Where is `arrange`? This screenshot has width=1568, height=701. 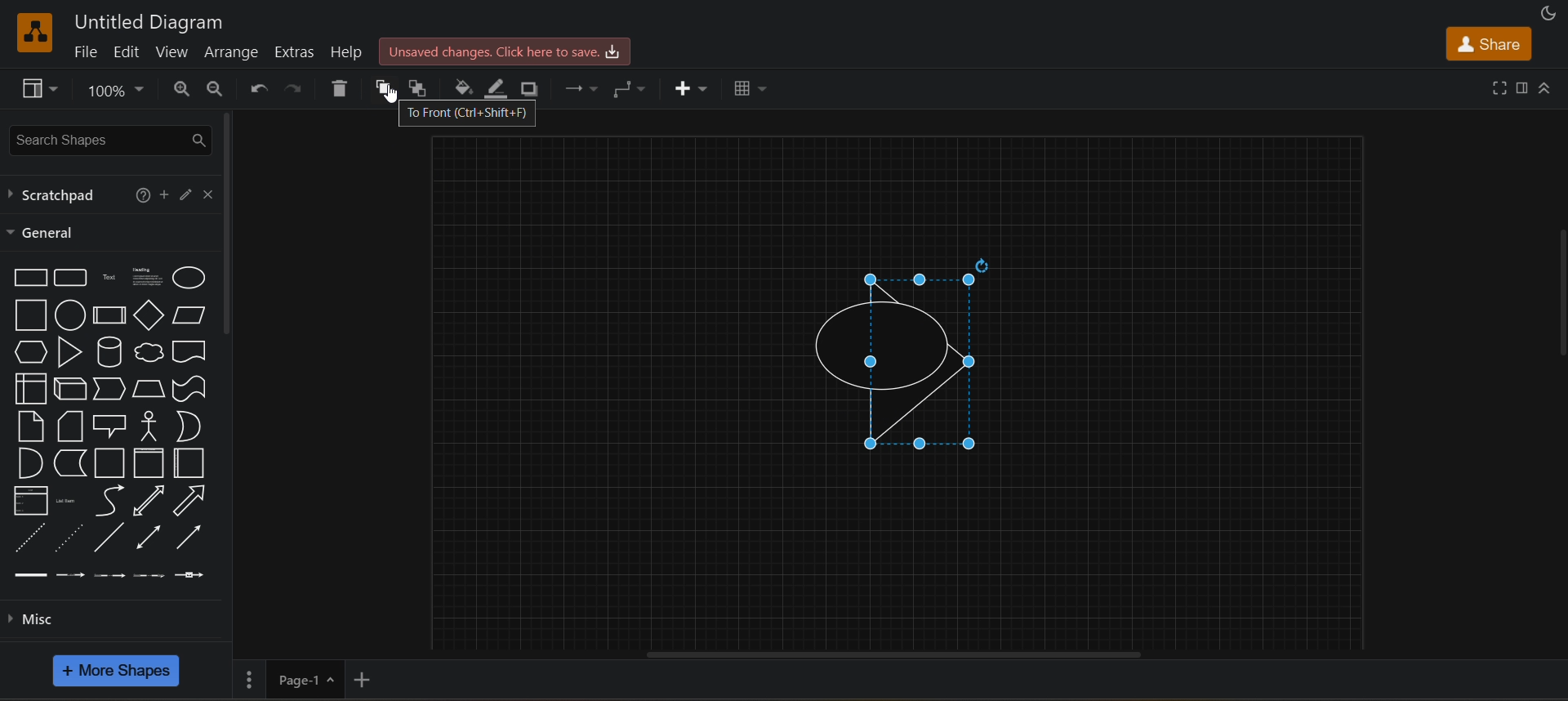
arrange is located at coordinates (234, 52).